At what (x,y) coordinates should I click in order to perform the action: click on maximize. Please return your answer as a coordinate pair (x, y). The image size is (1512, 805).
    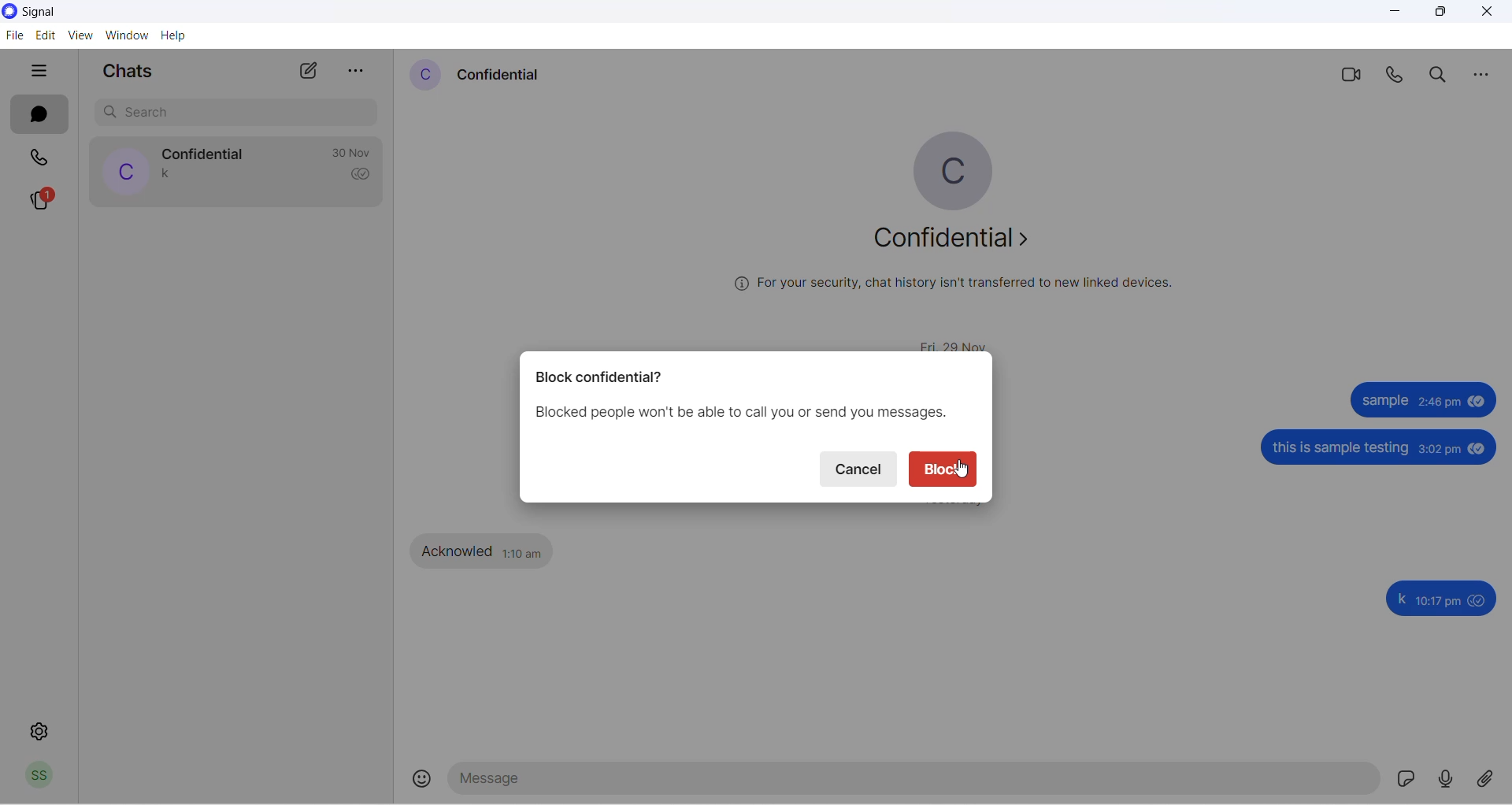
    Looking at the image, I should click on (1440, 14).